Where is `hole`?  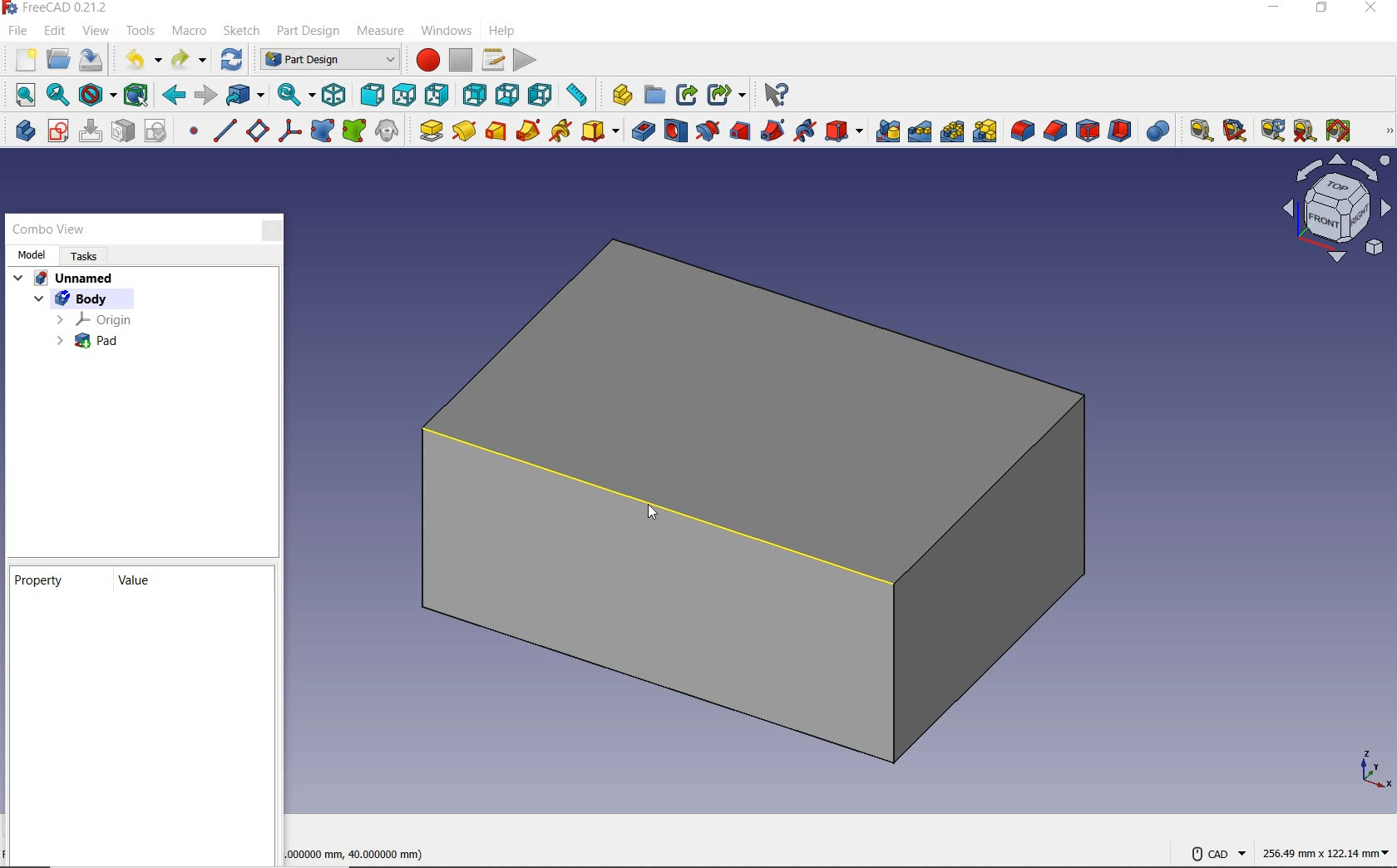
hole is located at coordinates (677, 132).